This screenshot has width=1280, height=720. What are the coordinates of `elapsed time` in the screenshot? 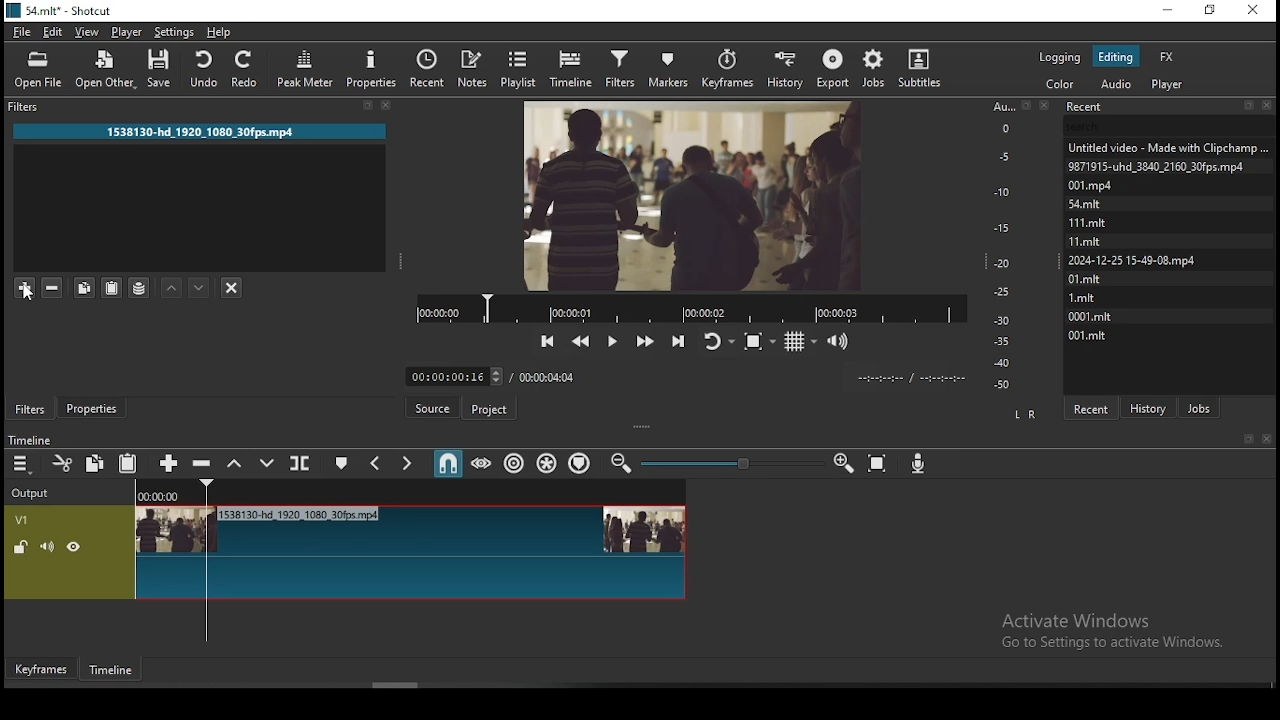 It's located at (451, 372).